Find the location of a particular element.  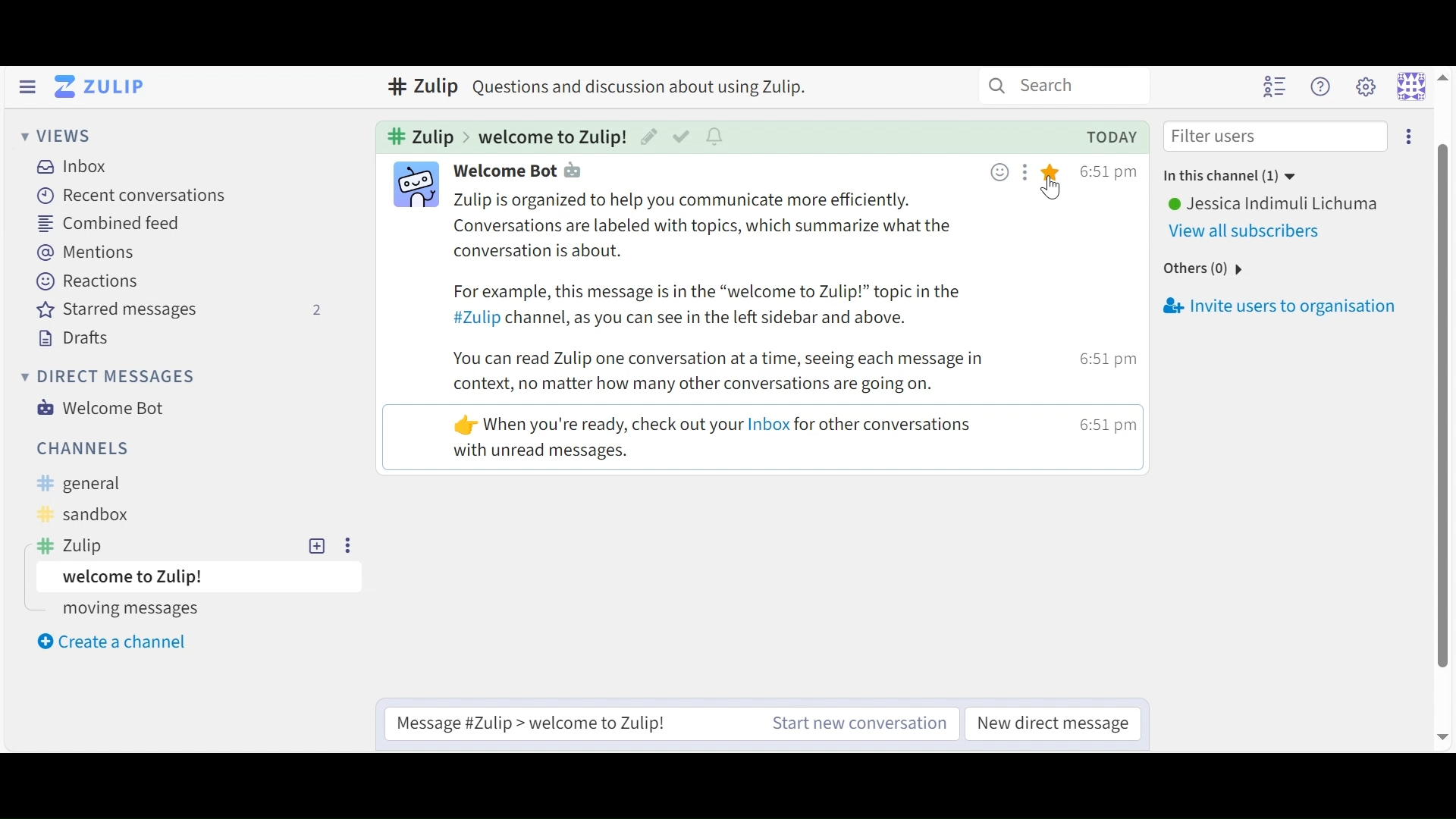

Edit Topic is located at coordinates (651, 135).